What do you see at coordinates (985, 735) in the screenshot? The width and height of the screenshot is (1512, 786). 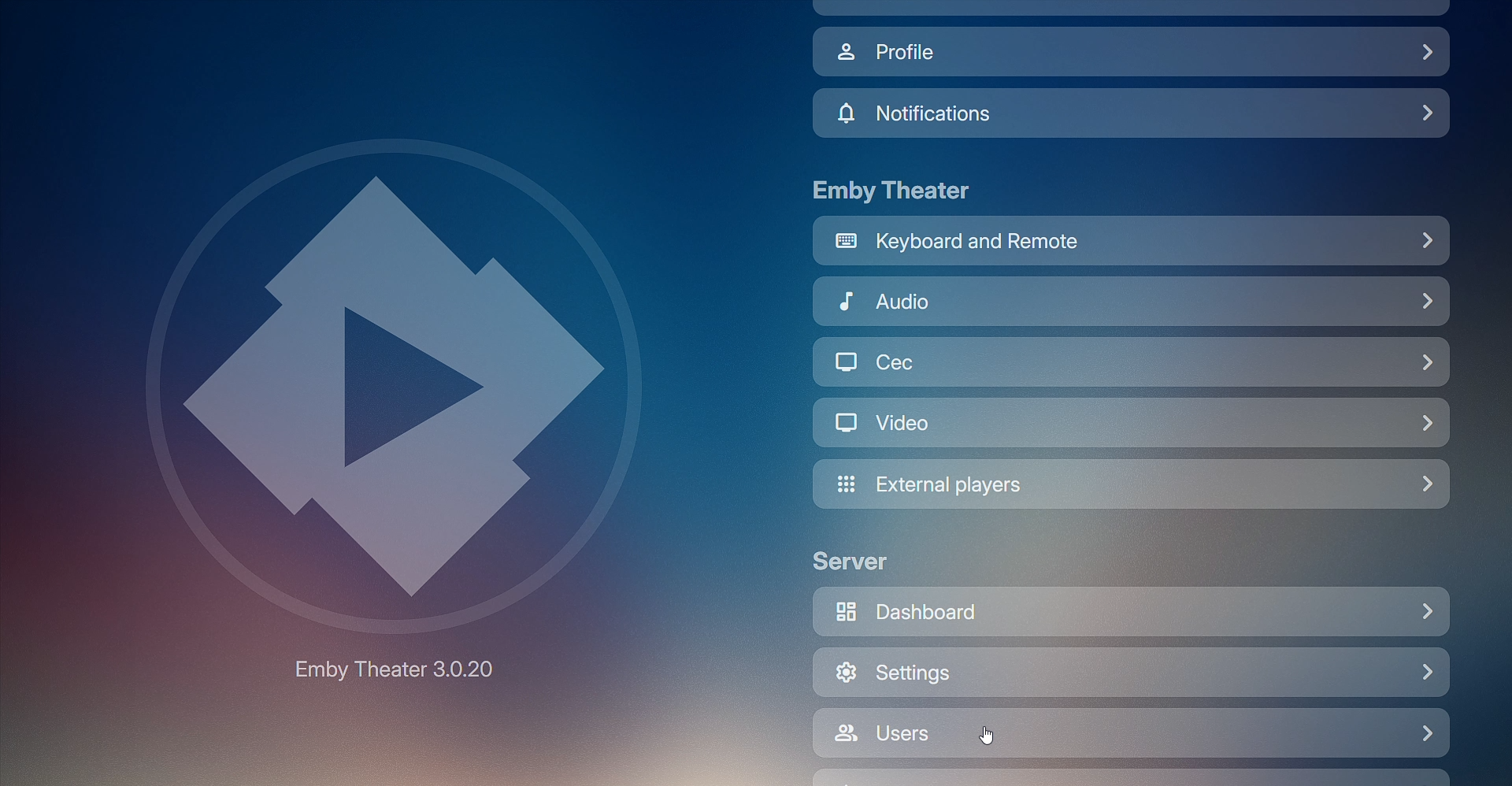 I see `Cursor` at bounding box center [985, 735].